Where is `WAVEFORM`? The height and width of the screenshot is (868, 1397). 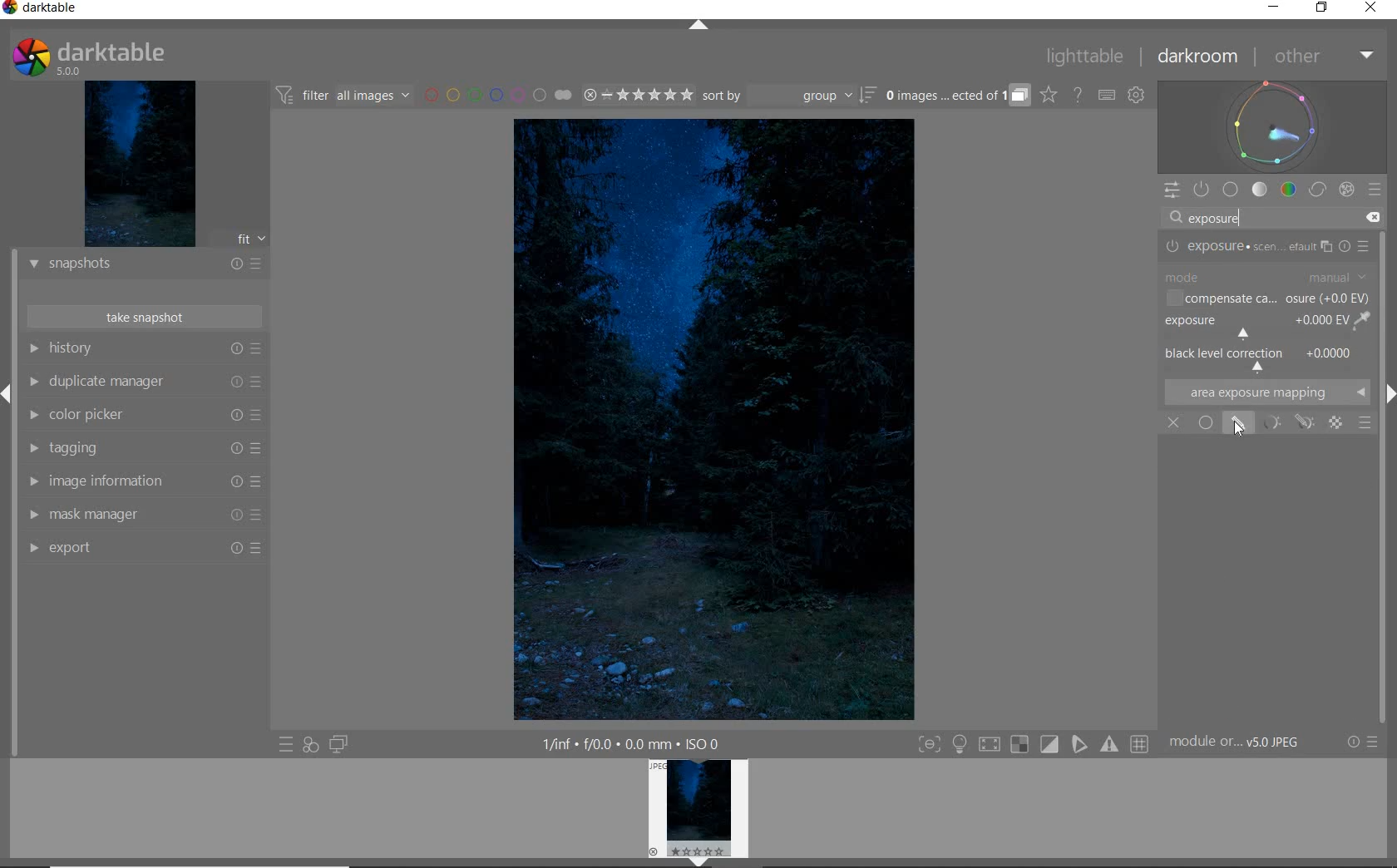 WAVEFORM is located at coordinates (1271, 126).